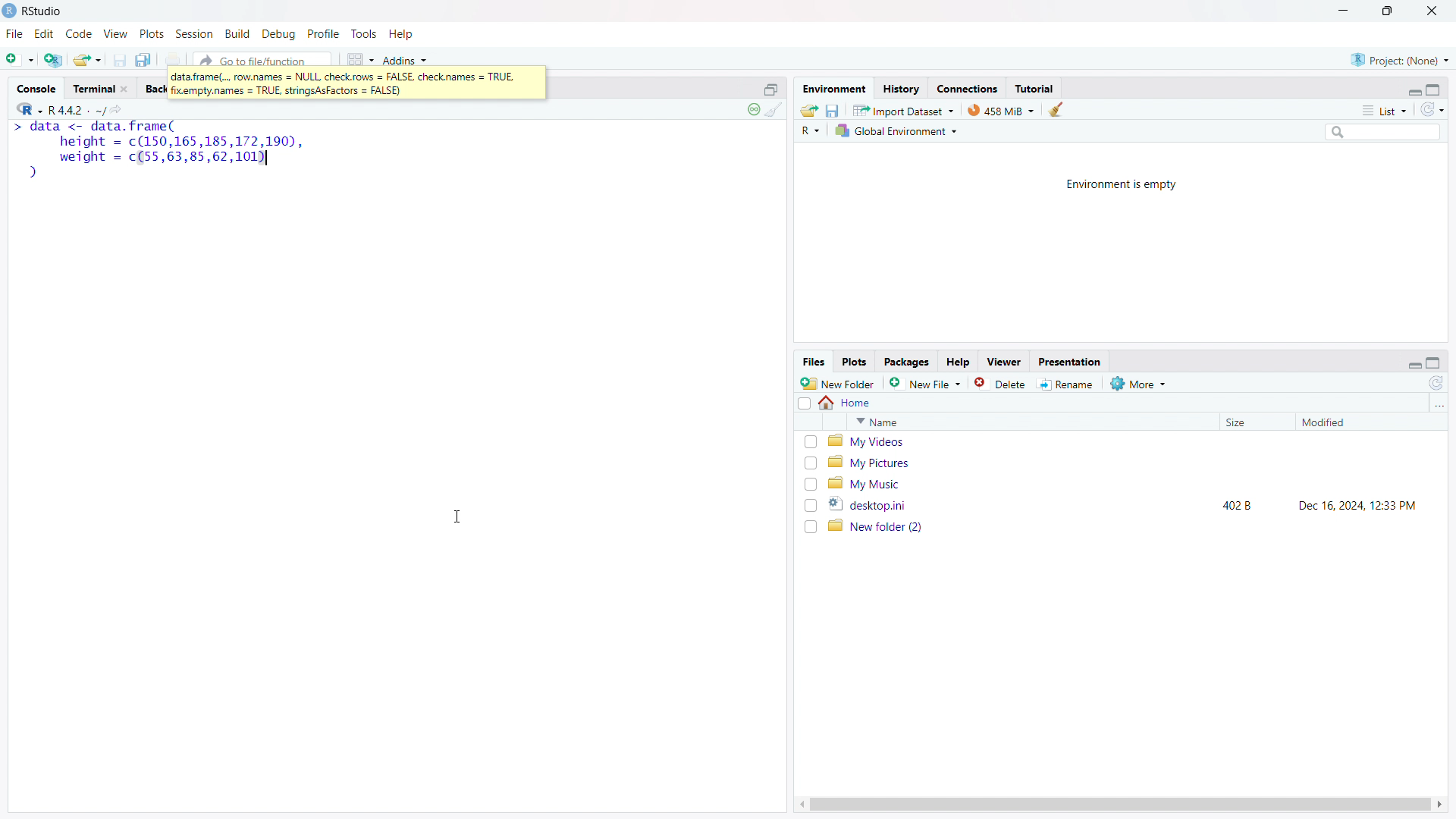 This screenshot has height=819, width=1456. What do you see at coordinates (1351, 422) in the screenshot?
I see `modified` at bounding box center [1351, 422].